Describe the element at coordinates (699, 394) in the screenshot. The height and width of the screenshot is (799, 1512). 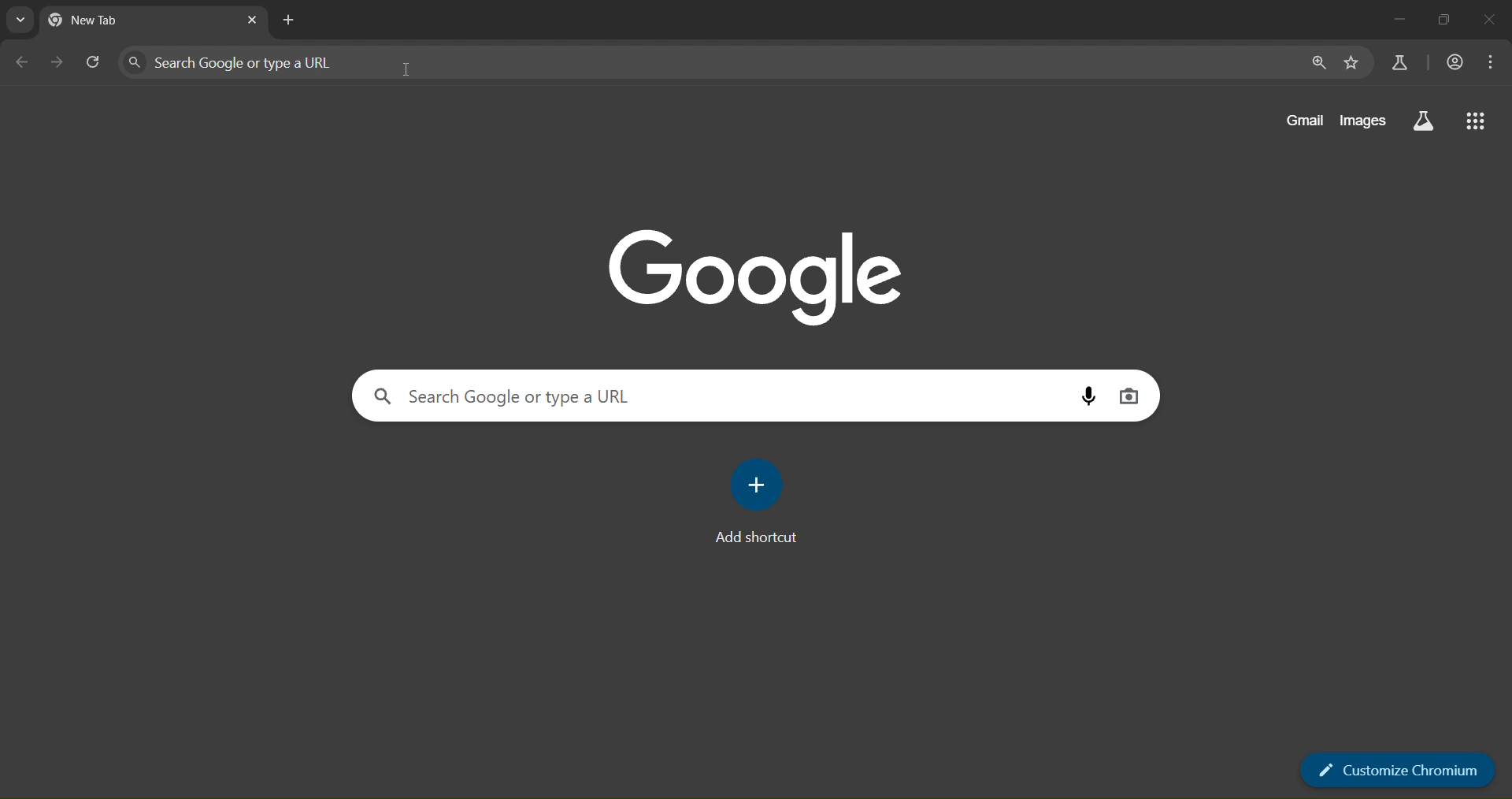
I see `search panel` at that location.